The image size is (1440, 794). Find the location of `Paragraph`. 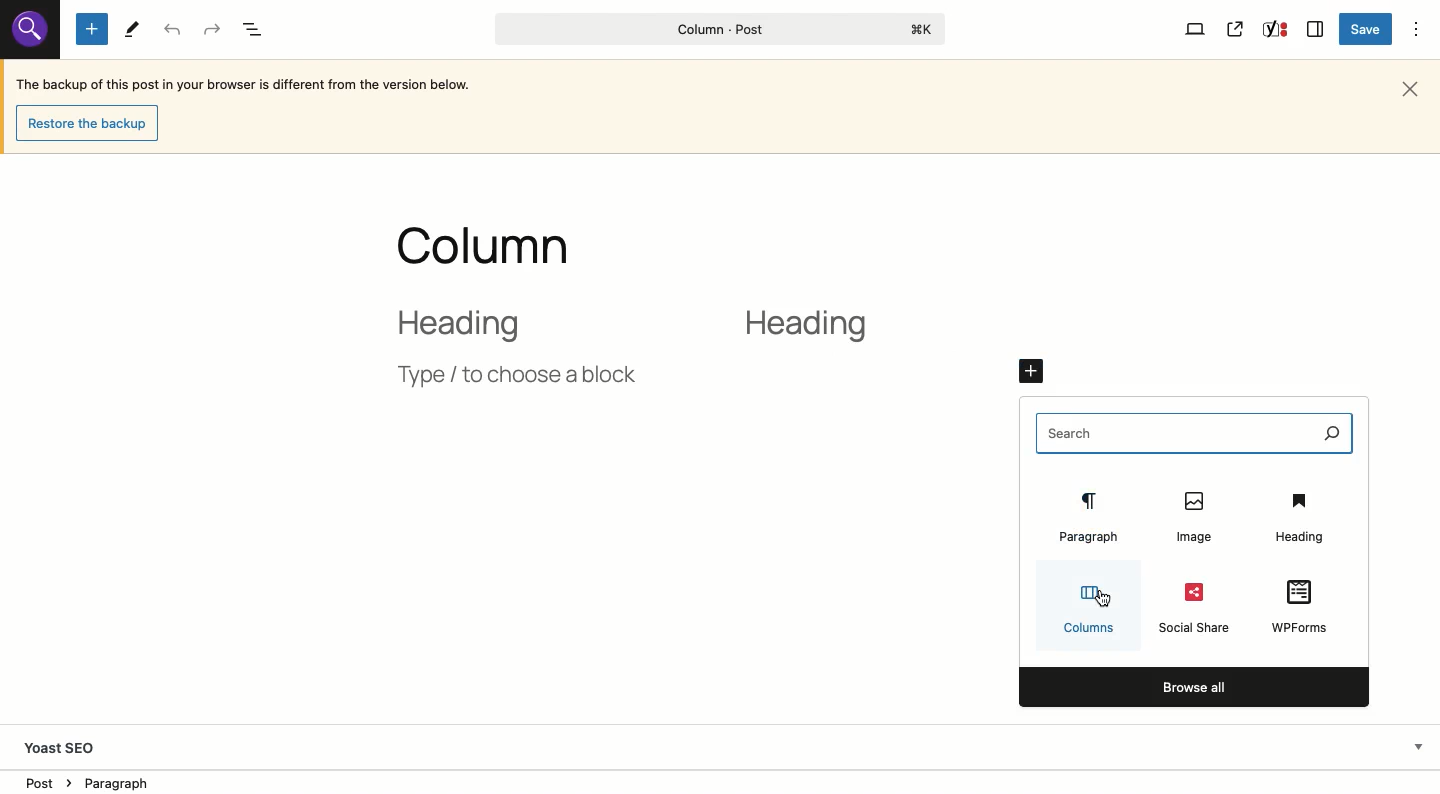

Paragraph is located at coordinates (1090, 519).